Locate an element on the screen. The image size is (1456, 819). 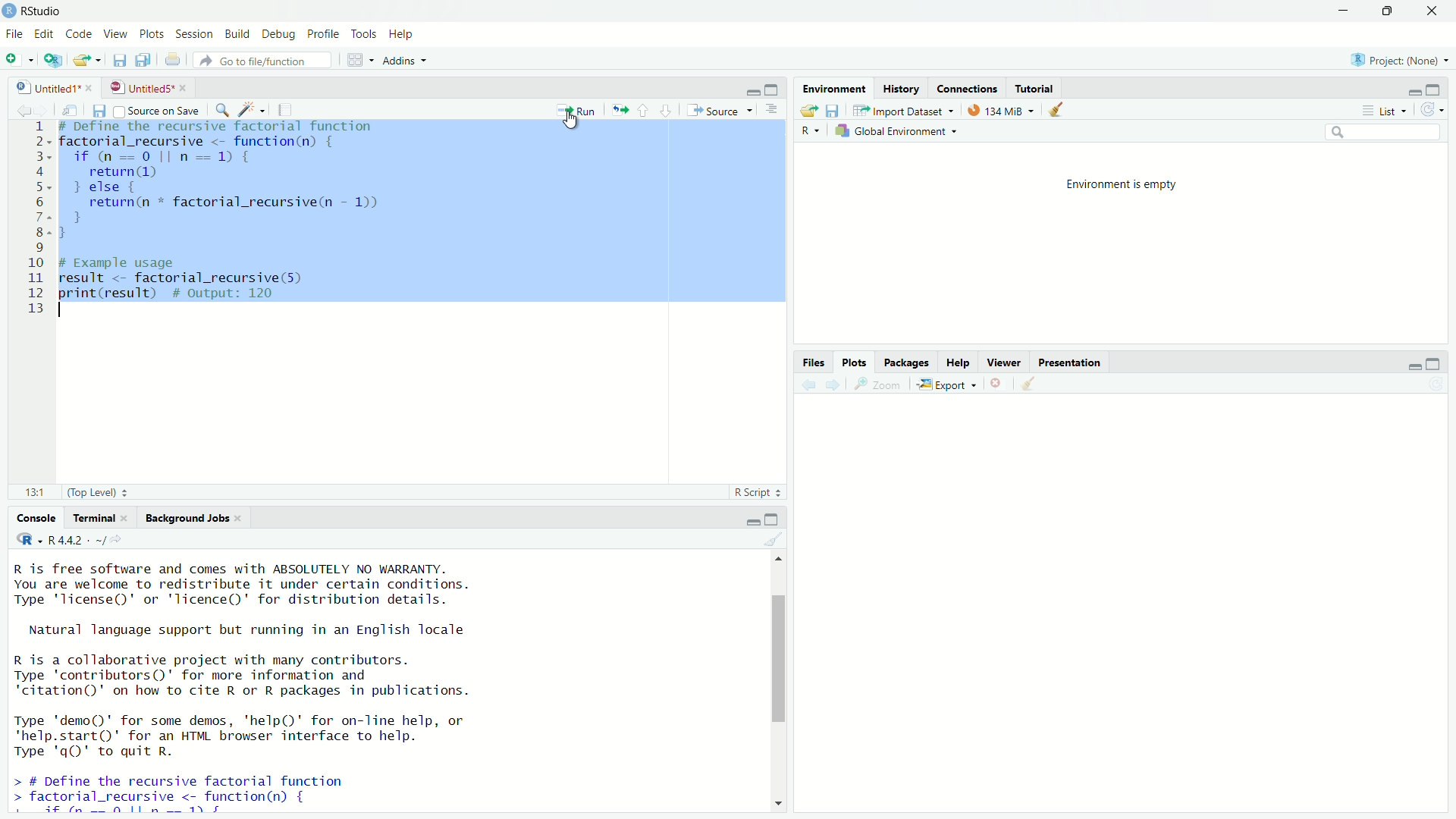
New File is located at coordinates (18, 60).